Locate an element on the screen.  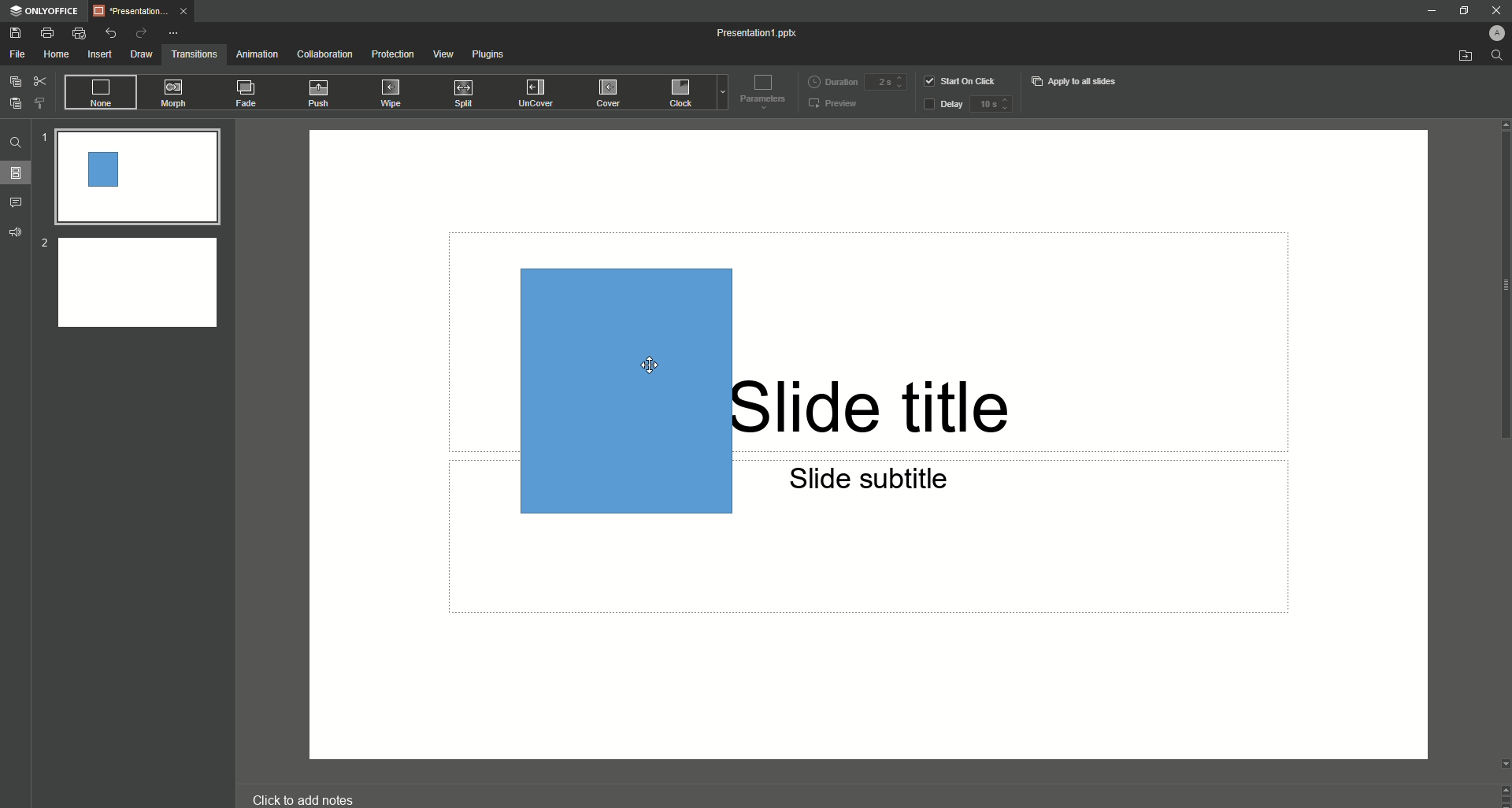
Cover is located at coordinates (600, 94).